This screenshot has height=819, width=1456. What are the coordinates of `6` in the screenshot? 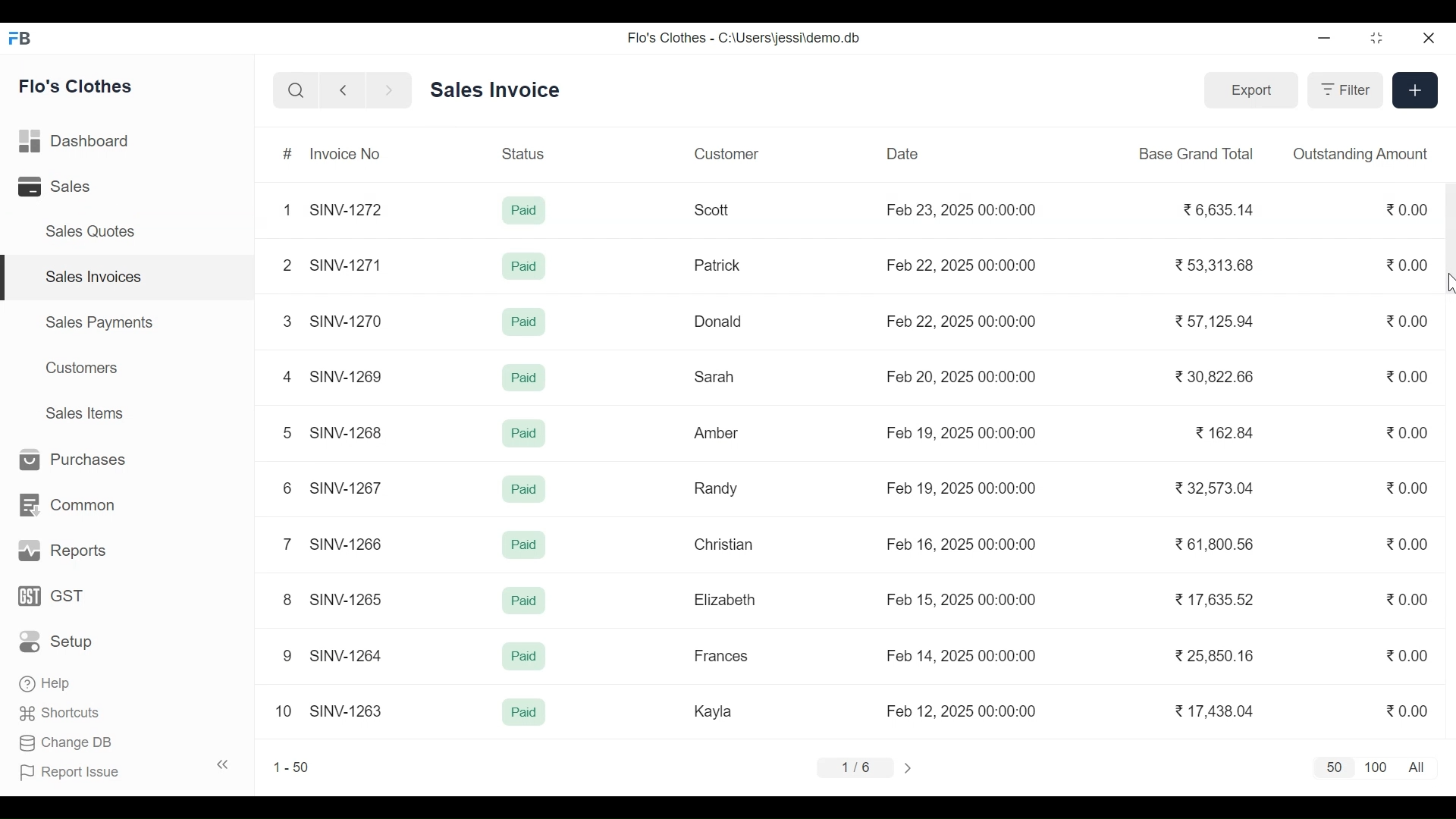 It's located at (285, 488).